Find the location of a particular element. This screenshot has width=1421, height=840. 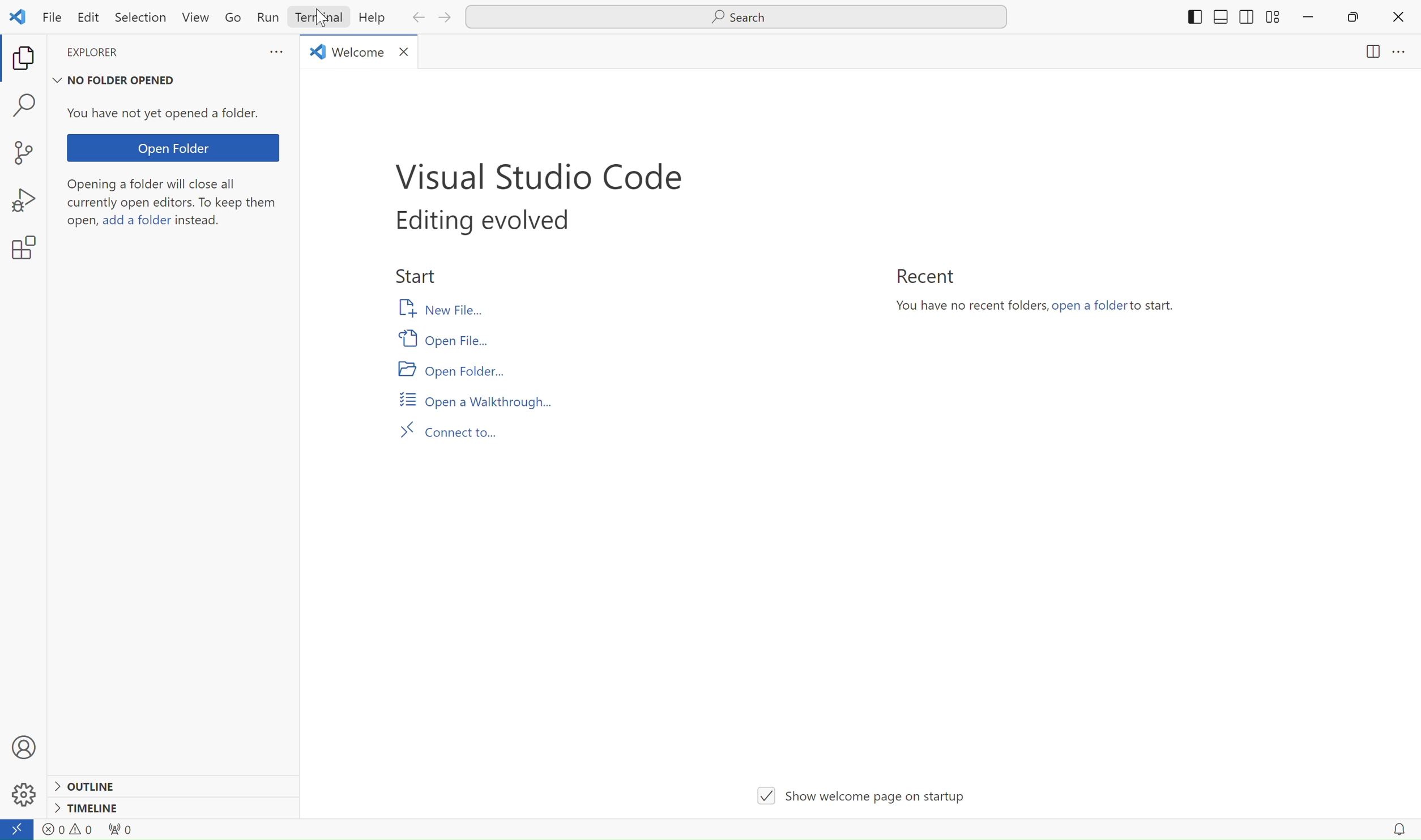

page is located at coordinates (1362, 57).